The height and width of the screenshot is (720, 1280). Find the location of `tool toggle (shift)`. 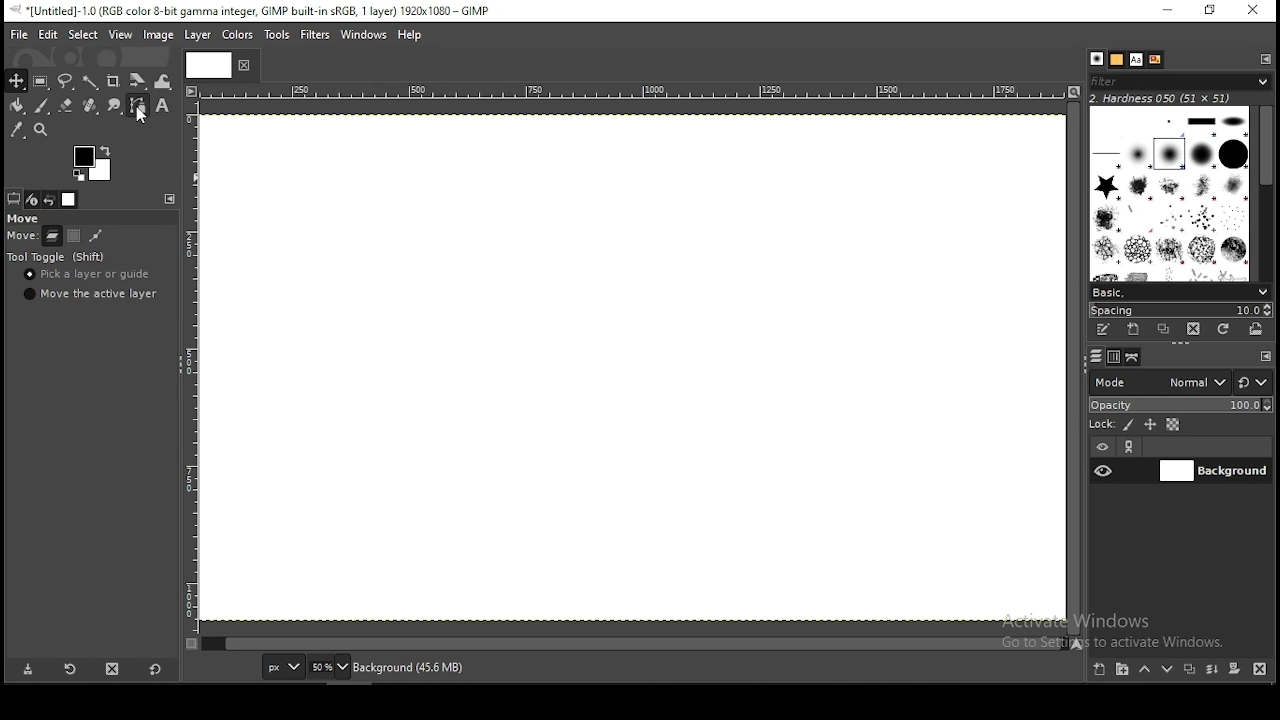

tool toggle (shift) is located at coordinates (55, 256).